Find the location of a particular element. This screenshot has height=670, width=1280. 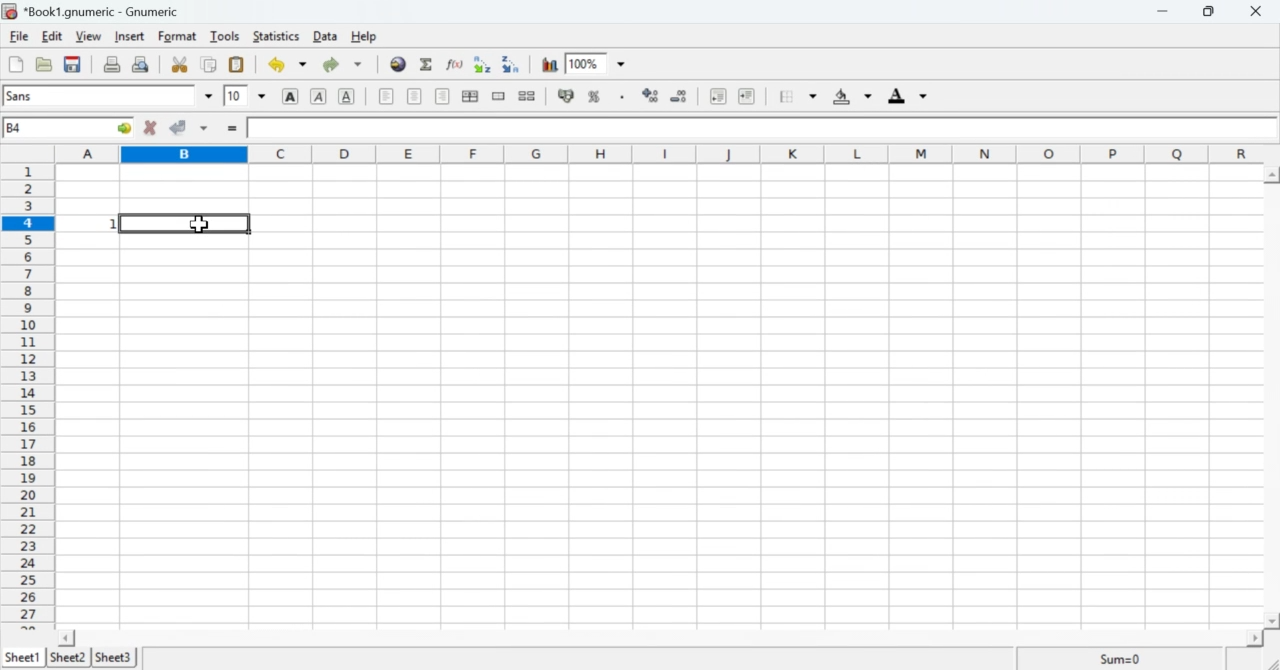

Center horizontally is located at coordinates (415, 97).